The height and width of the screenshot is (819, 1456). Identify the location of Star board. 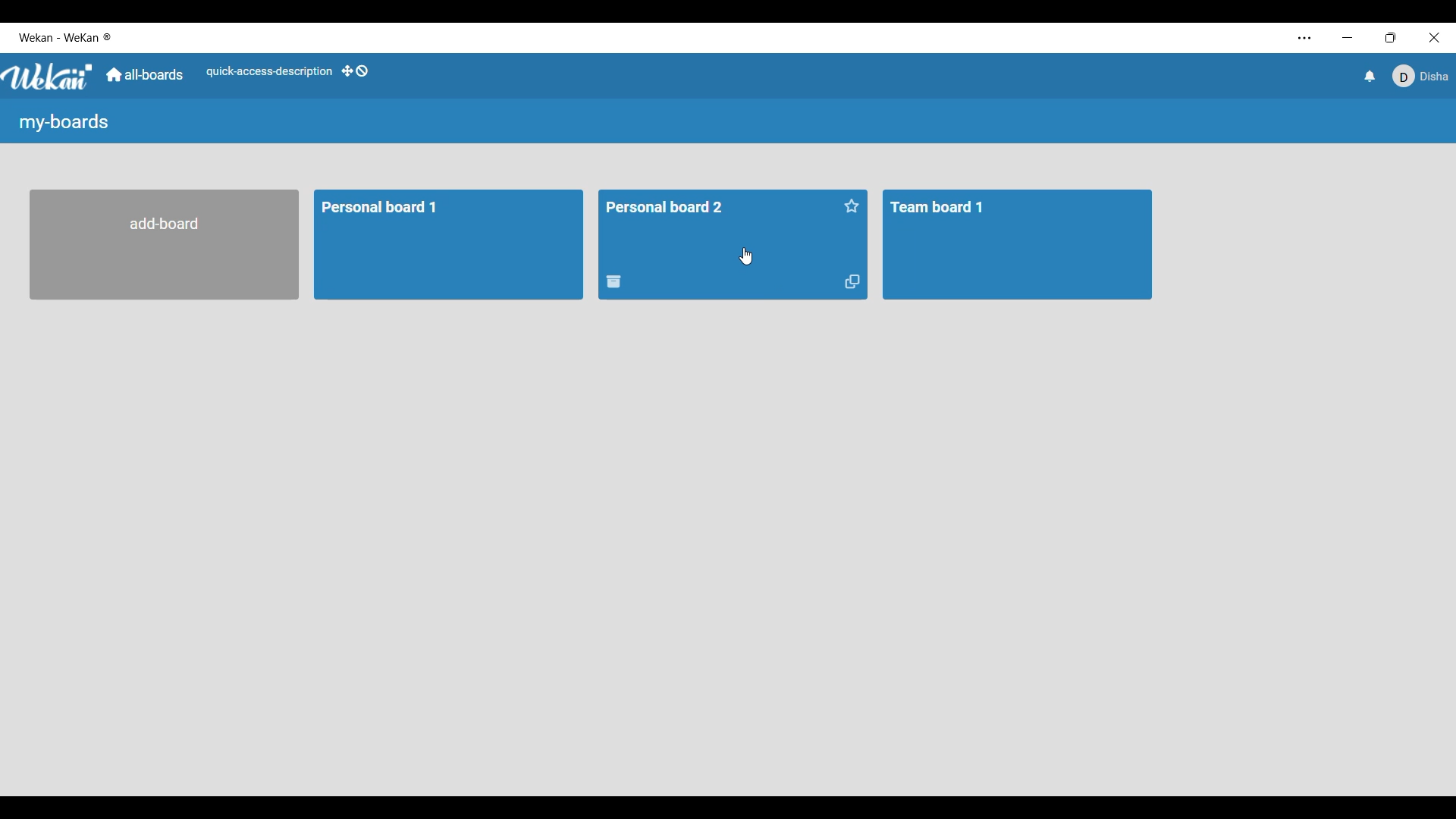
(852, 206).